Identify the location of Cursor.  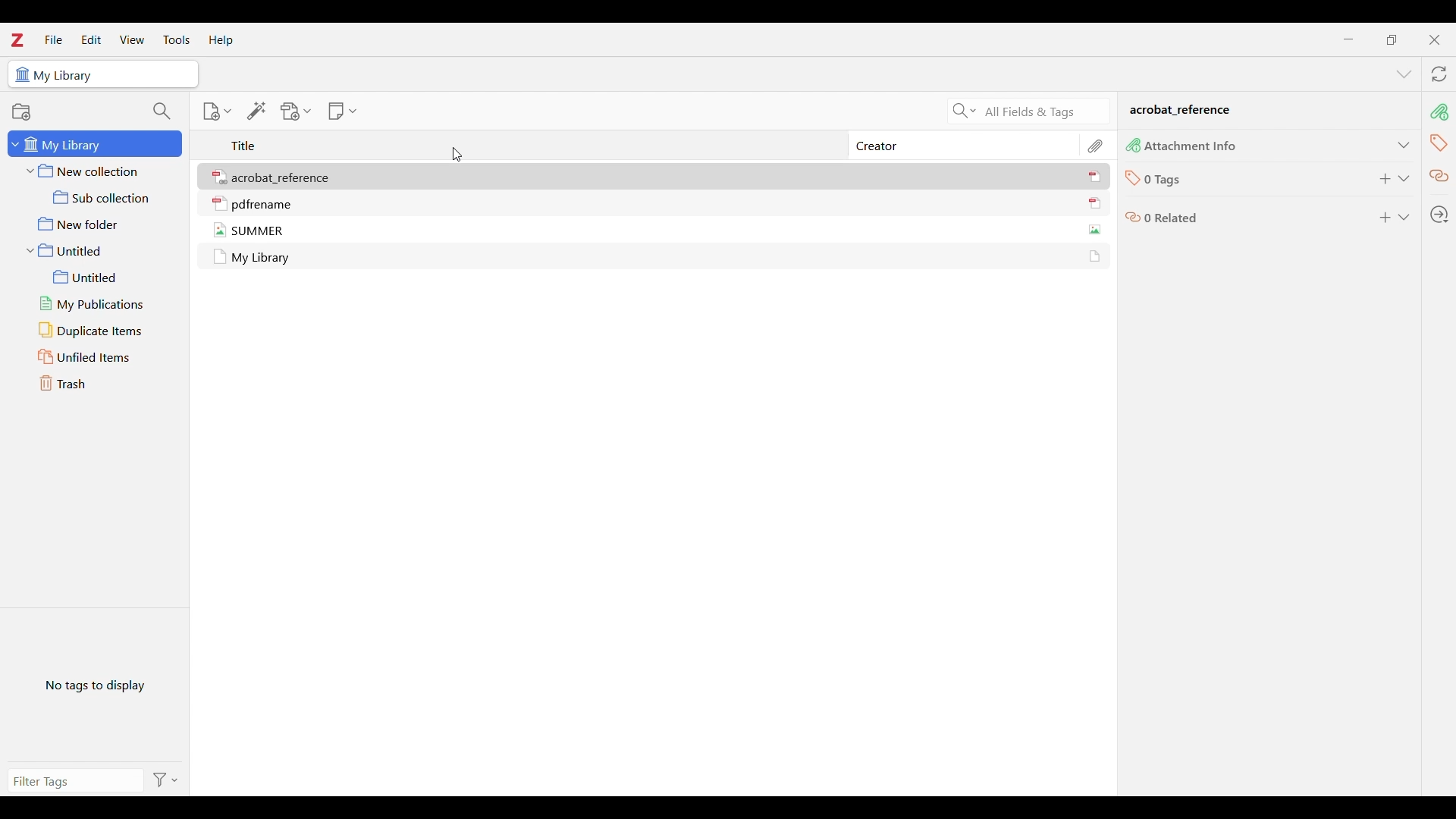
(457, 155).